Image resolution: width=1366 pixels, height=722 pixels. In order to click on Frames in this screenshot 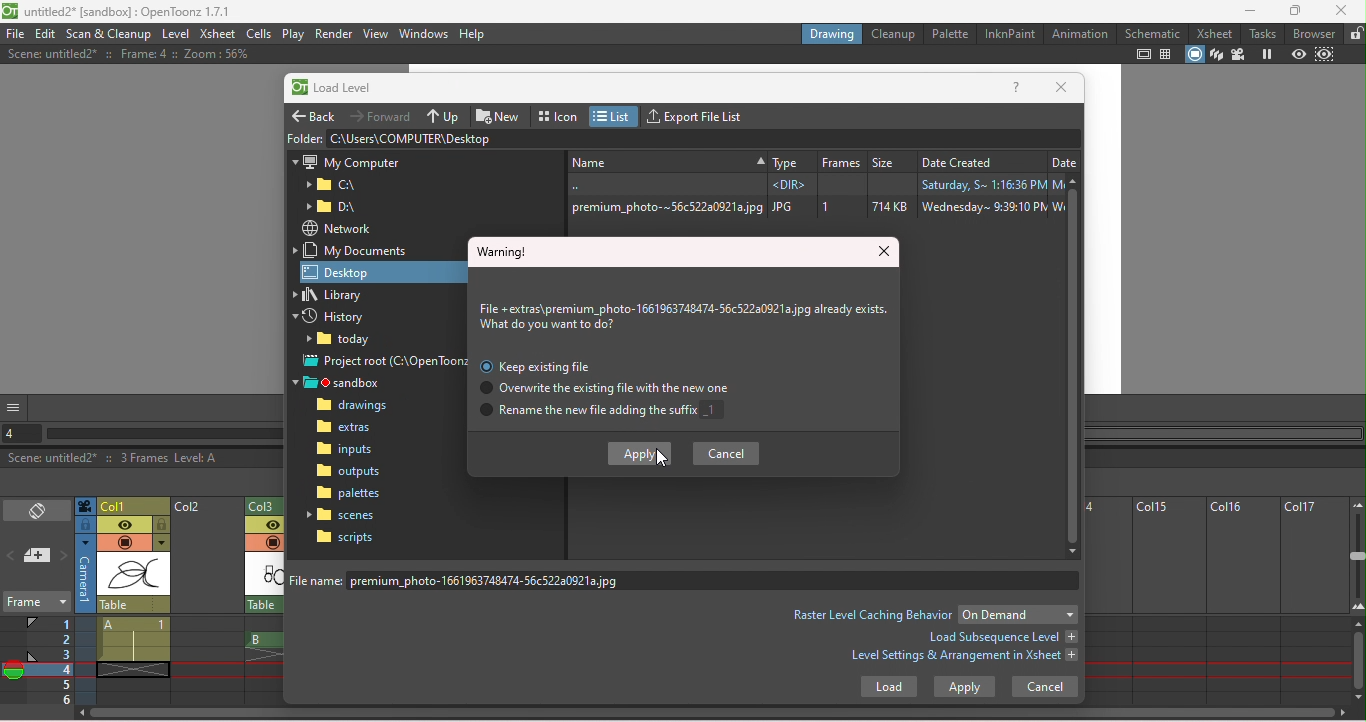, I will do `click(51, 660)`.